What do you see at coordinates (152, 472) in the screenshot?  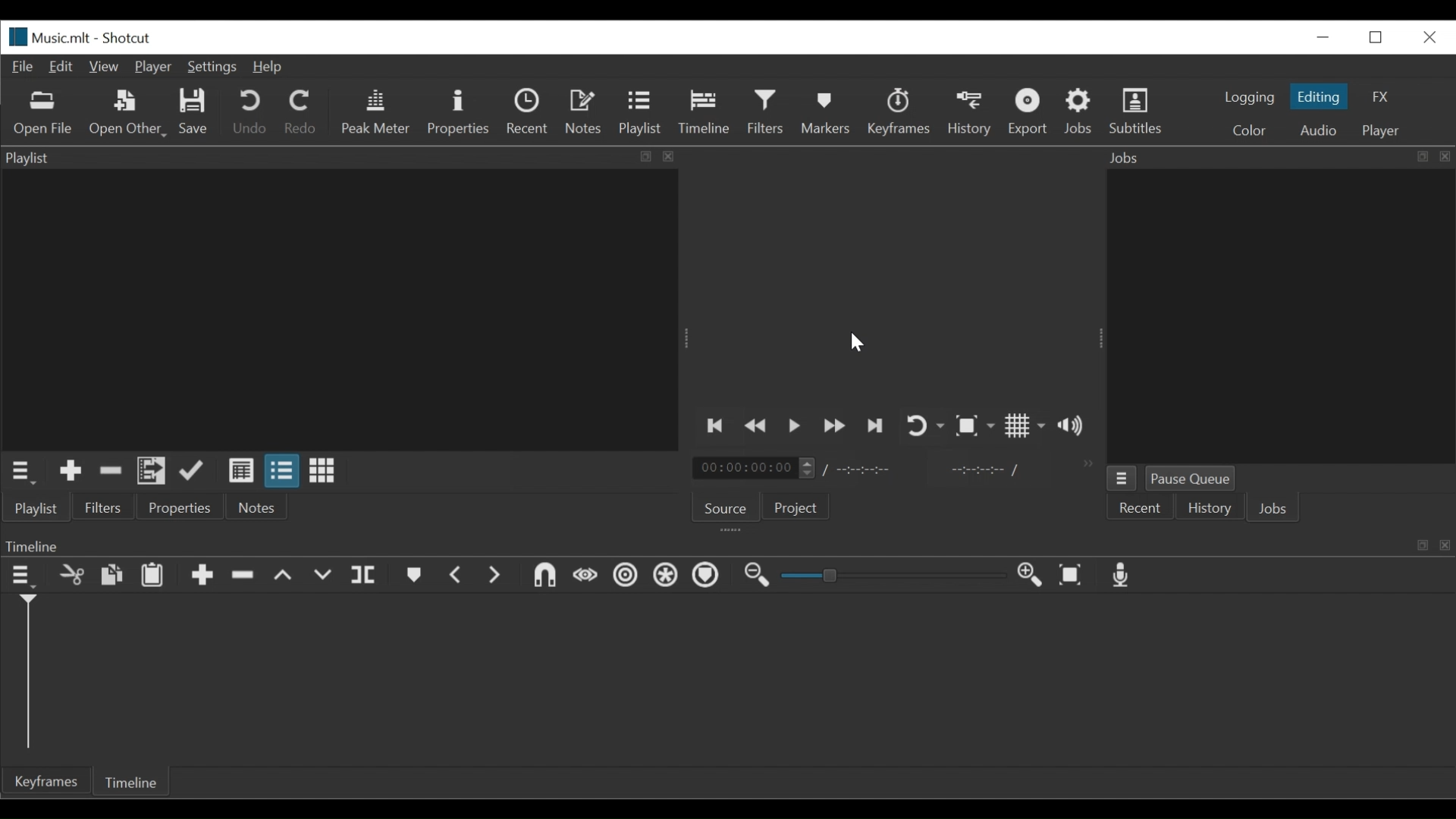 I see `Add files to the playlist` at bounding box center [152, 472].